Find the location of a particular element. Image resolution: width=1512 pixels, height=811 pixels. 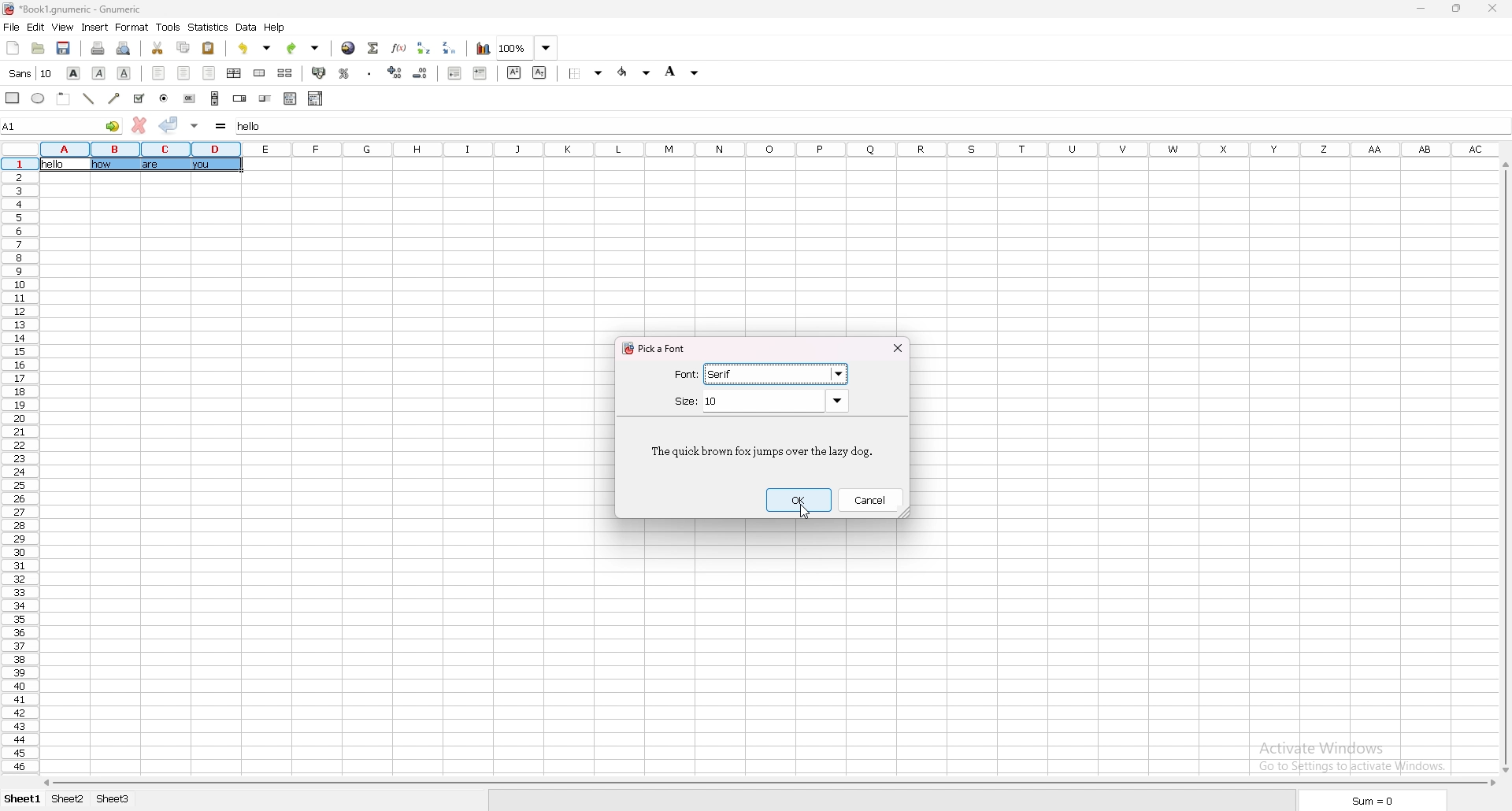

statistics is located at coordinates (209, 27).